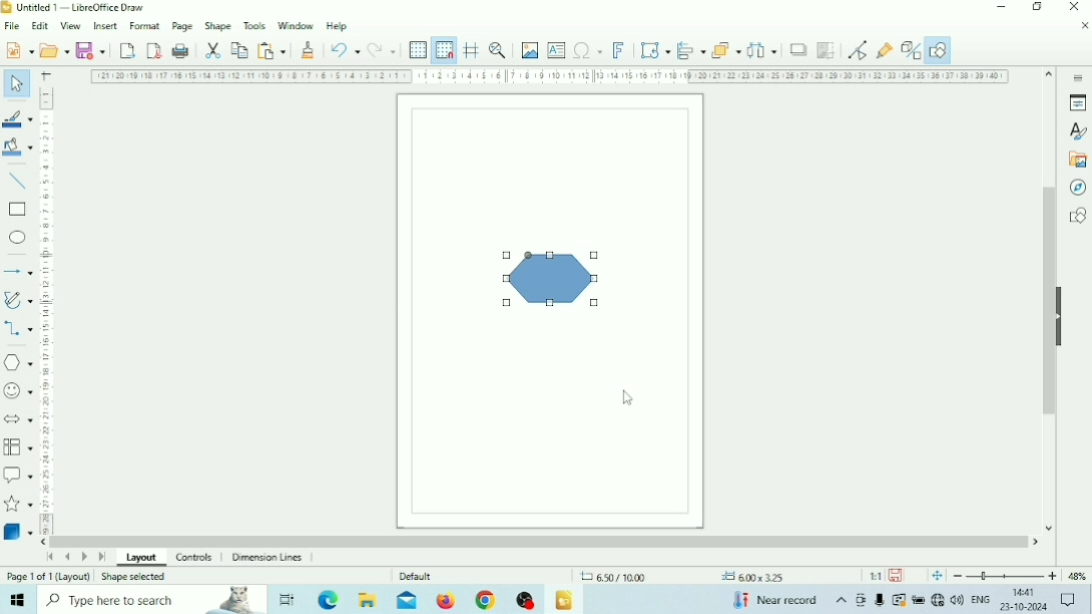  What do you see at coordinates (1062, 314) in the screenshot?
I see `Hide` at bounding box center [1062, 314].